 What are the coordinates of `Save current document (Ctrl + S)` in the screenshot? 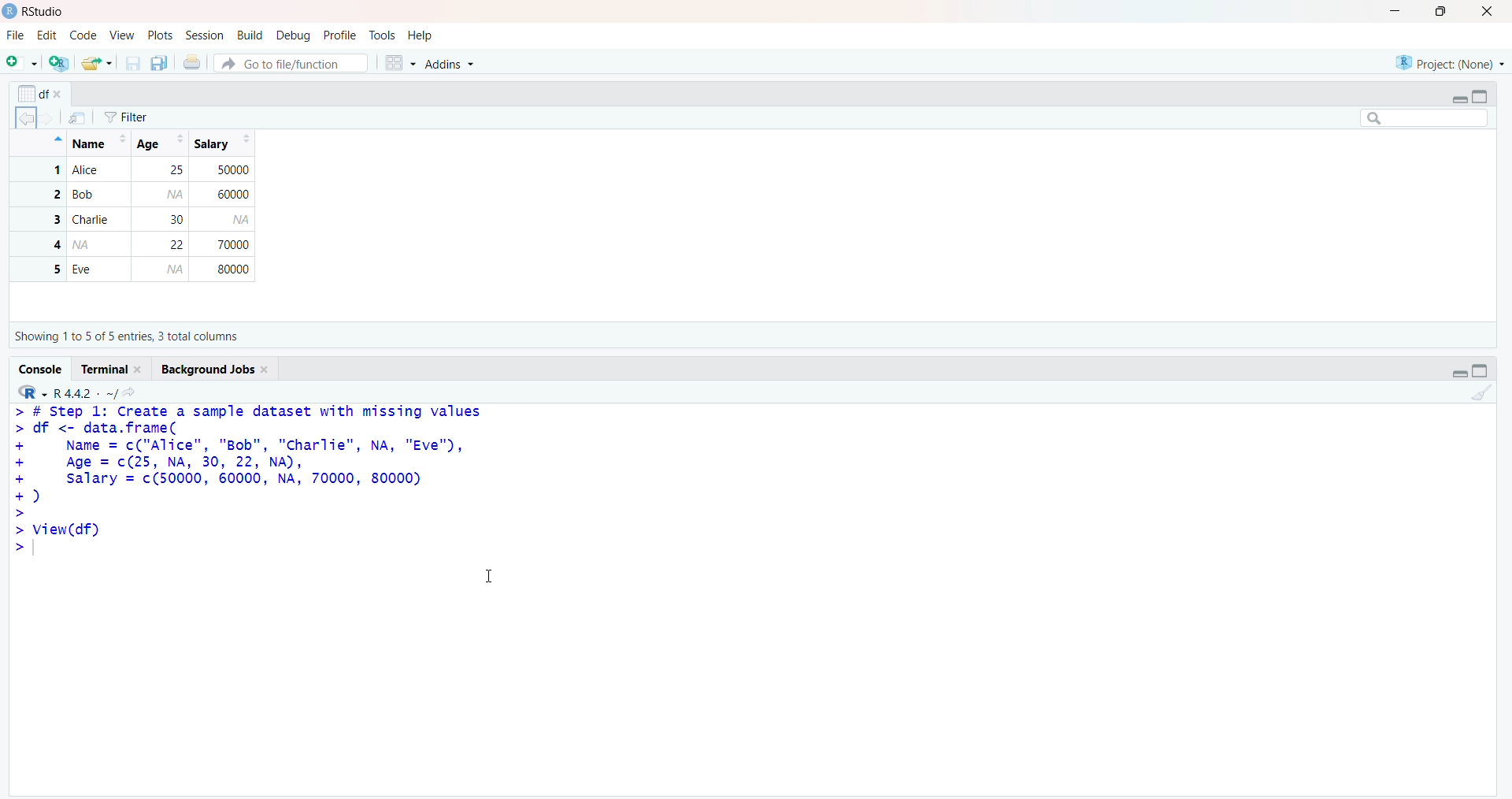 It's located at (132, 64).